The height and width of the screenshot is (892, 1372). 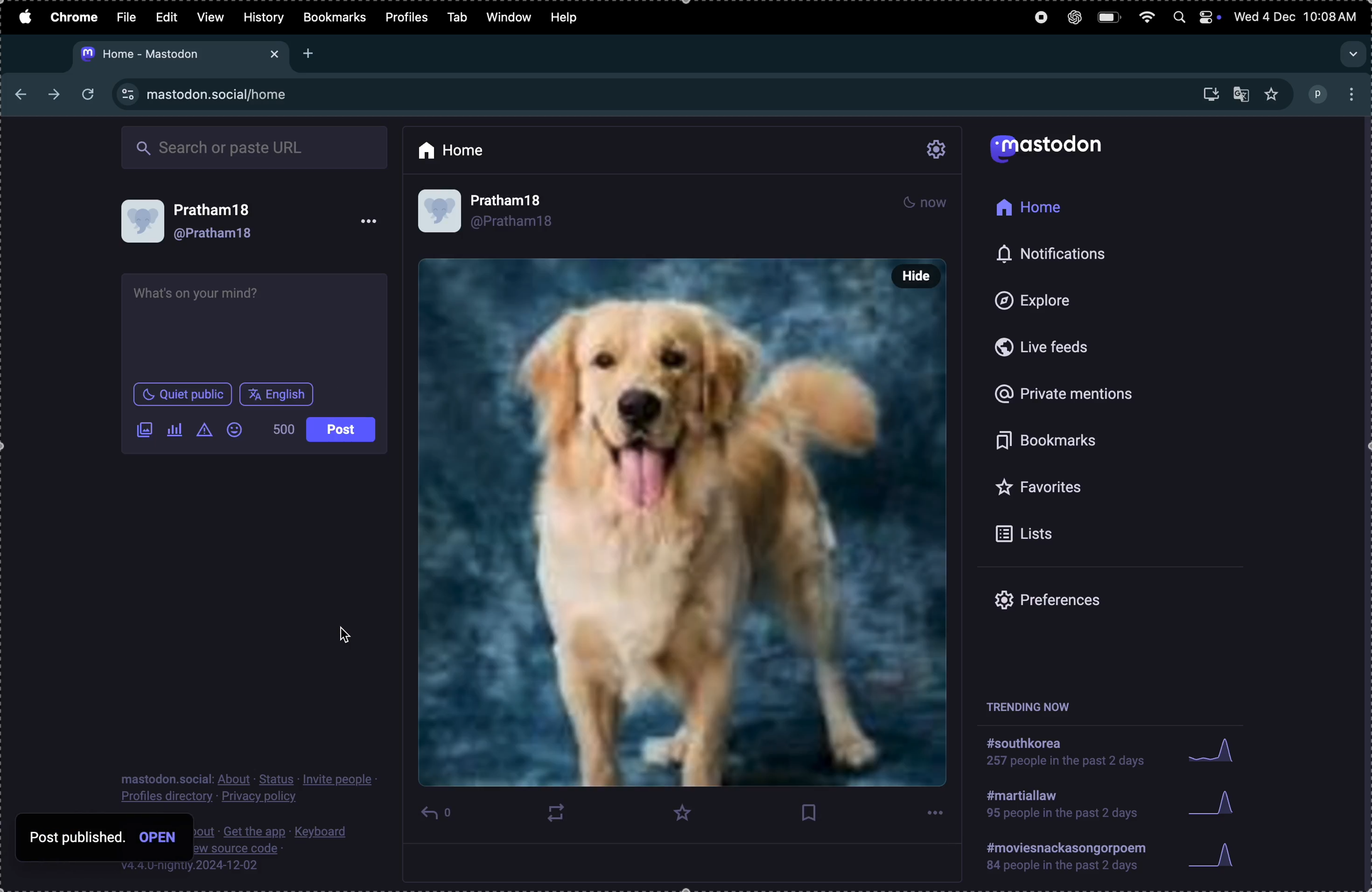 I want to click on battery, so click(x=1109, y=17).